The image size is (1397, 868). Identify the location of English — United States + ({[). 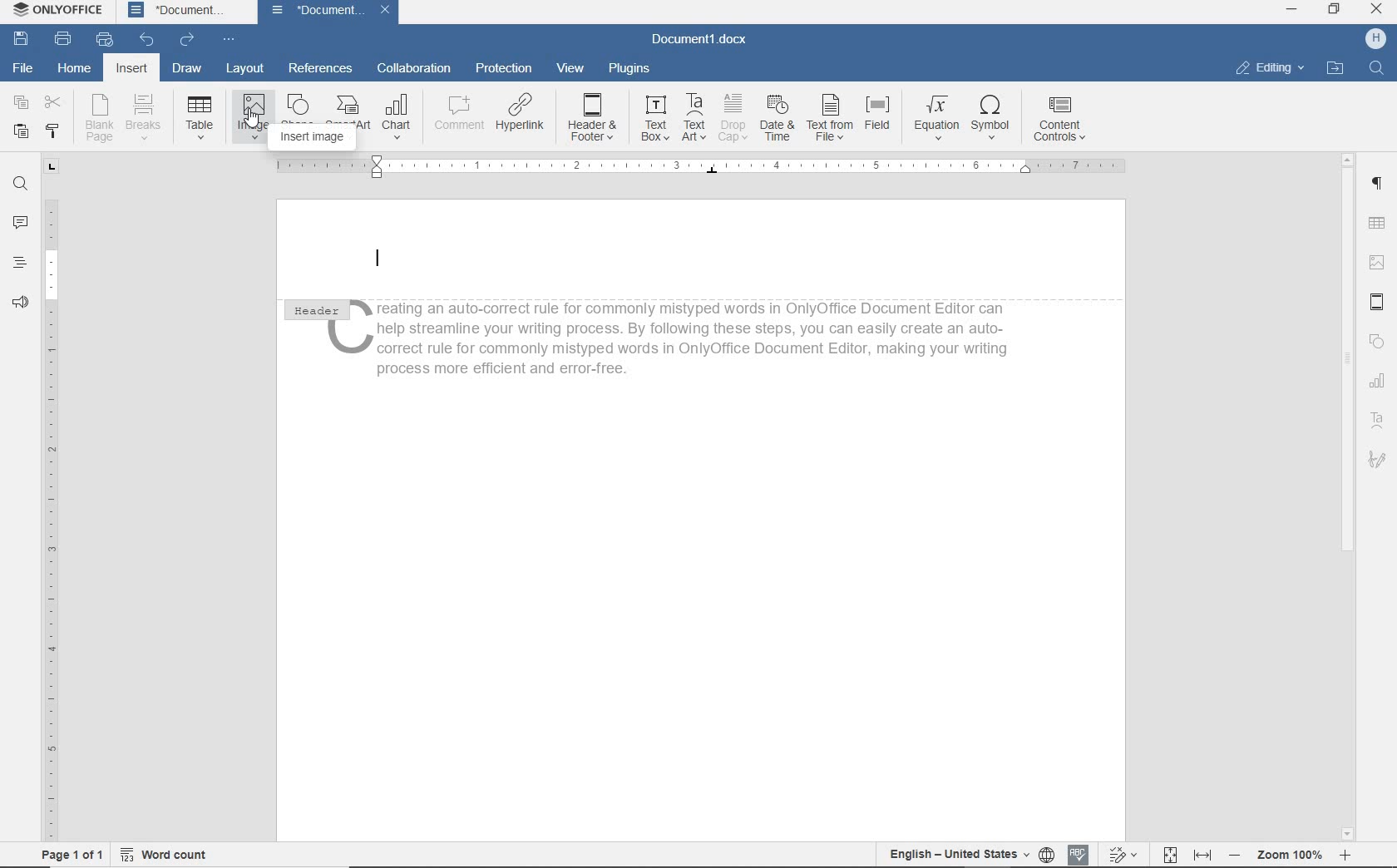
(960, 855).